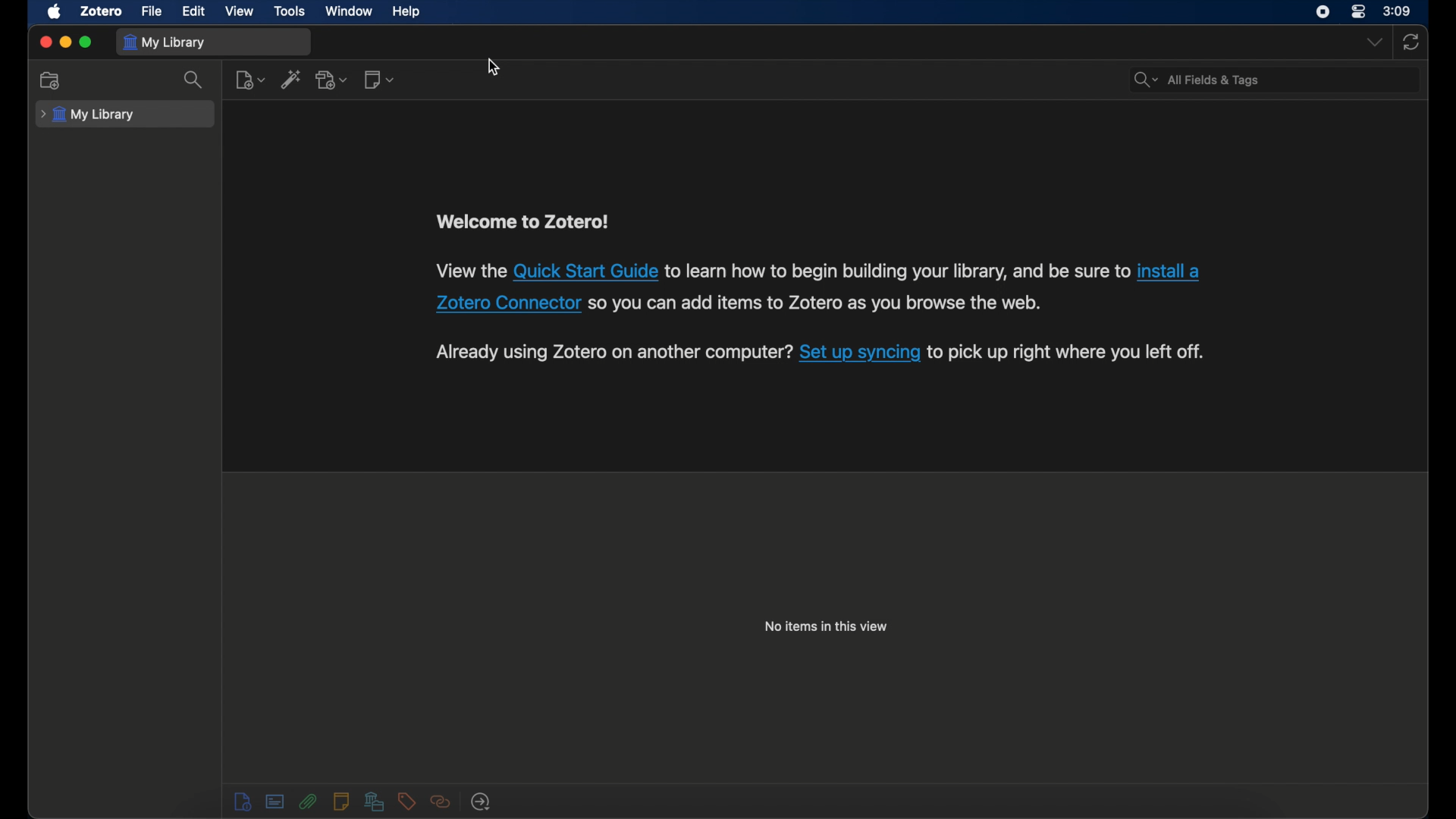 The width and height of the screenshot is (1456, 819). Describe the element at coordinates (406, 800) in the screenshot. I see `tags` at that location.